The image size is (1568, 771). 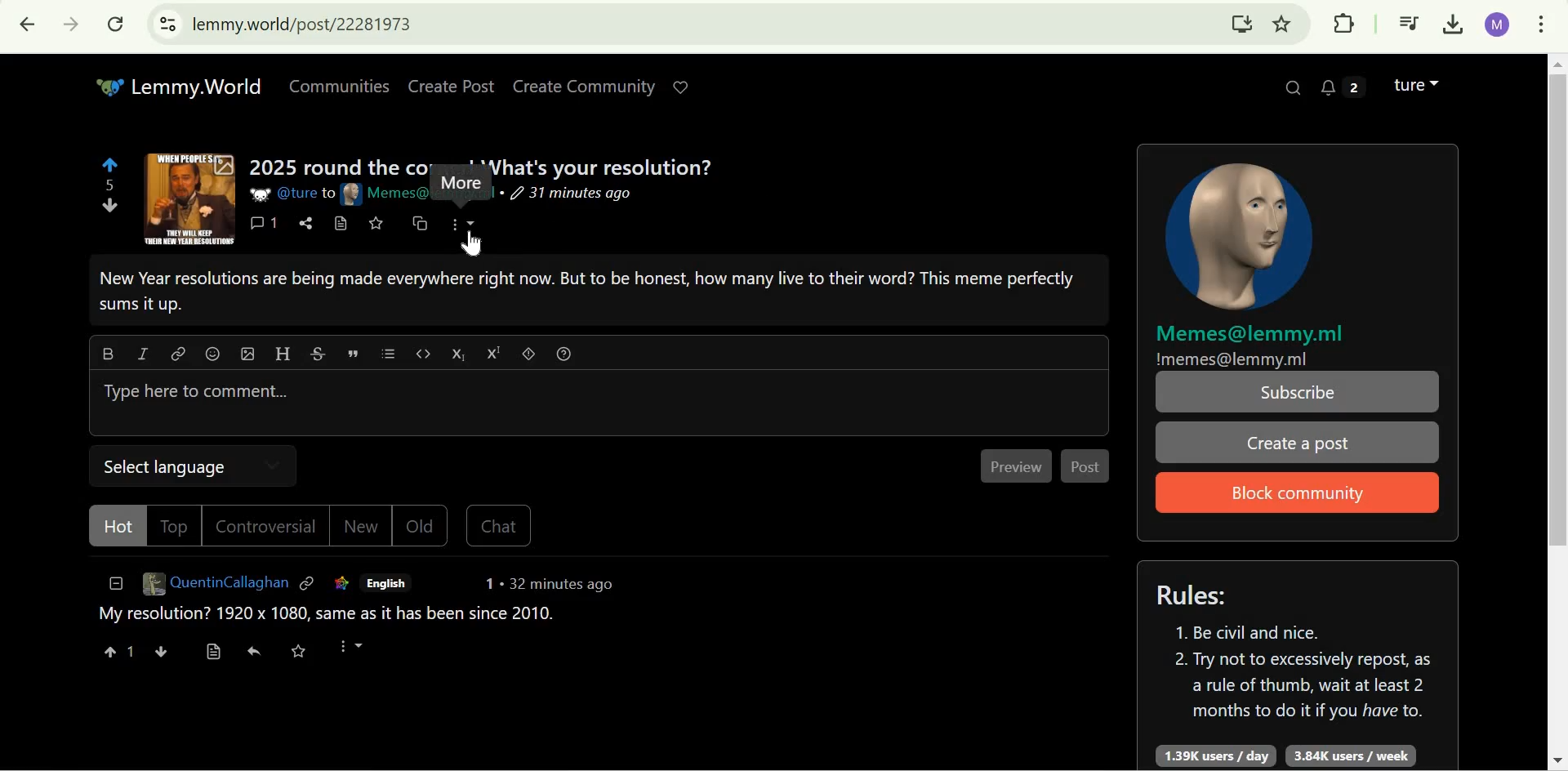 I want to click on view source, so click(x=213, y=653).